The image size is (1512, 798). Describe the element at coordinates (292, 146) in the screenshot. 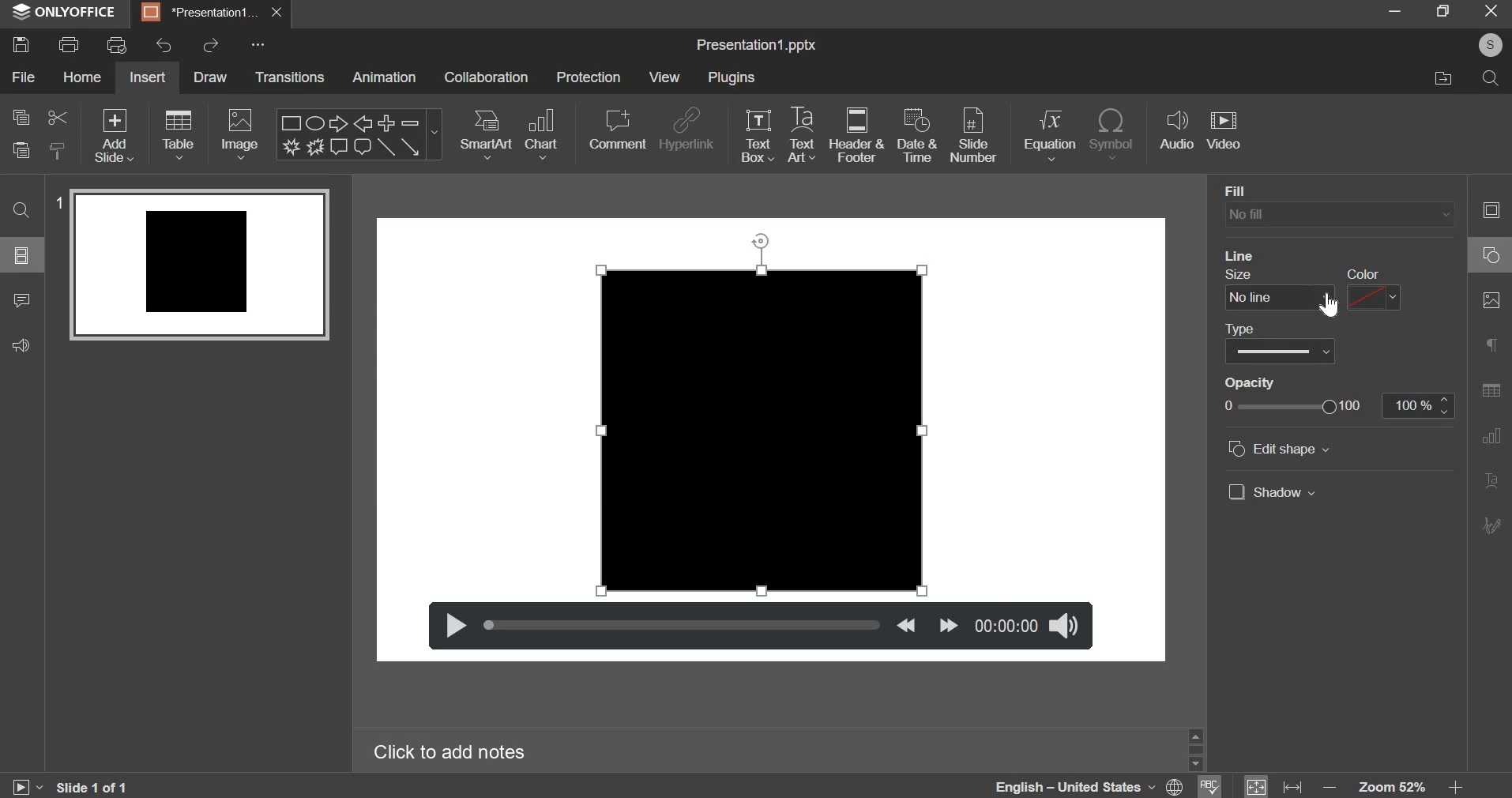

I see `Free shape` at that location.